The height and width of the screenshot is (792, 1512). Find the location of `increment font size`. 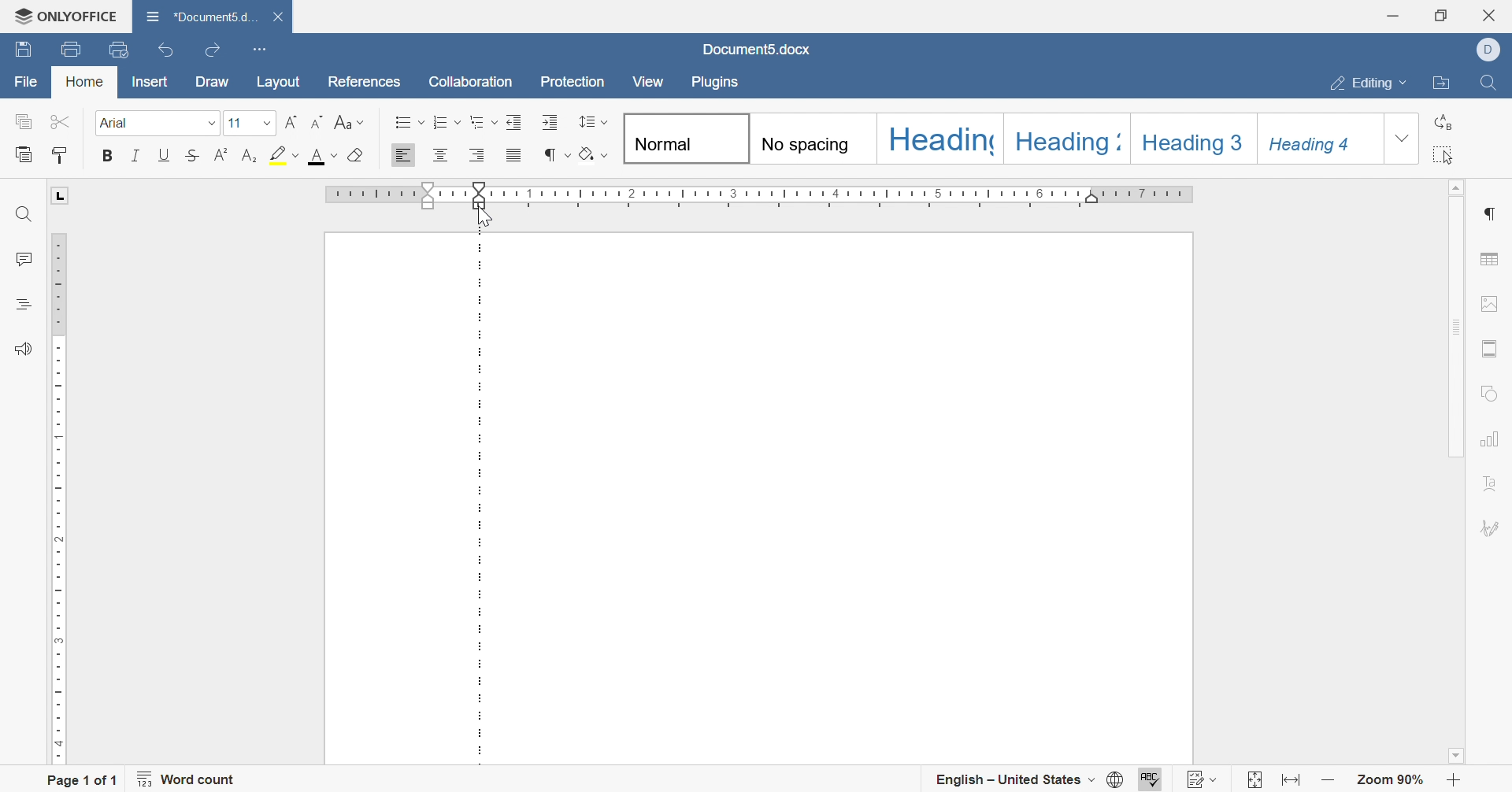

increment font size is located at coordinates (291, 120).